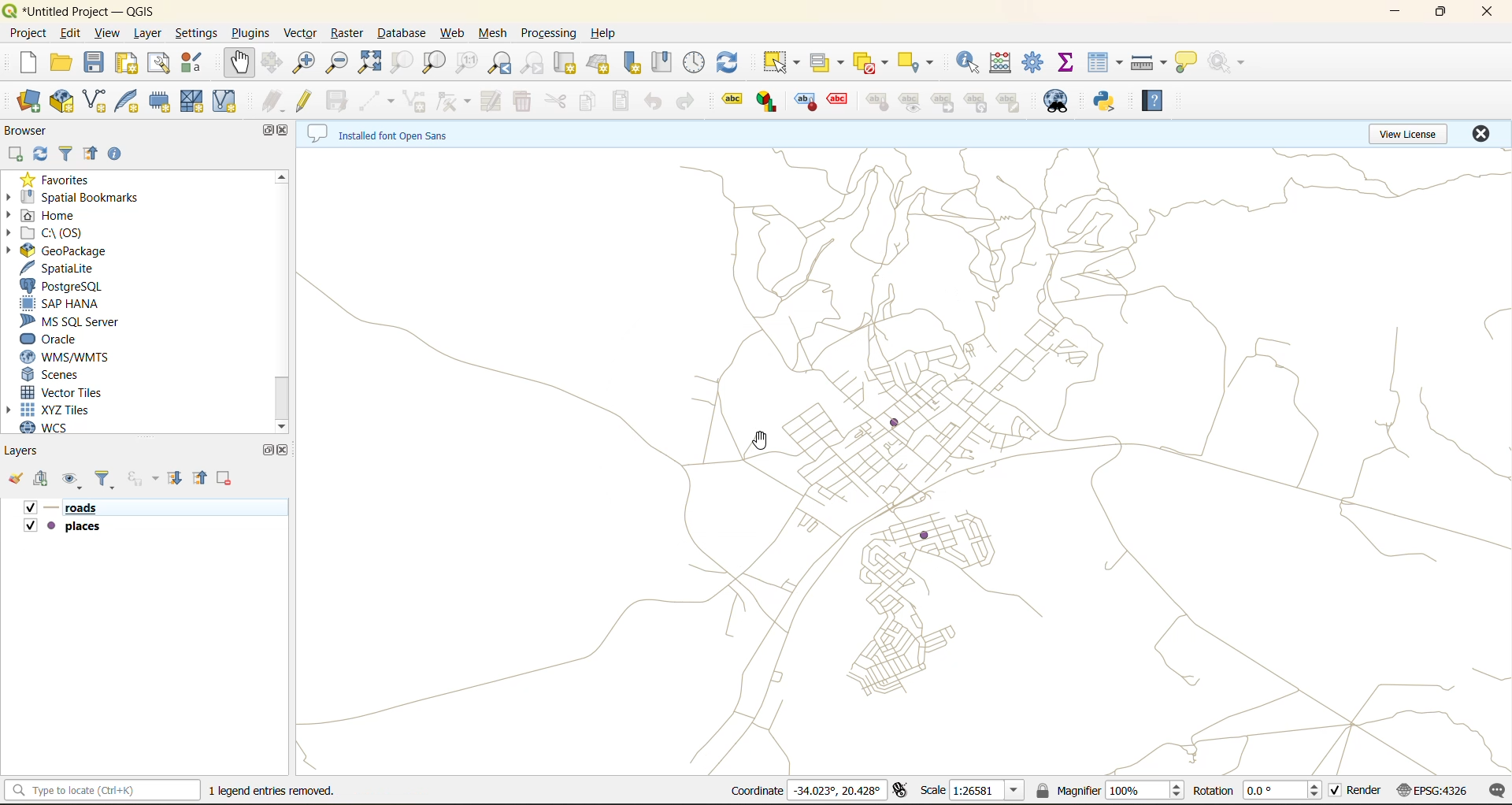  What do you see at coordinates (95, 100) in the screenshot?
I see `new shapefile` at bounding box center [95, 100].